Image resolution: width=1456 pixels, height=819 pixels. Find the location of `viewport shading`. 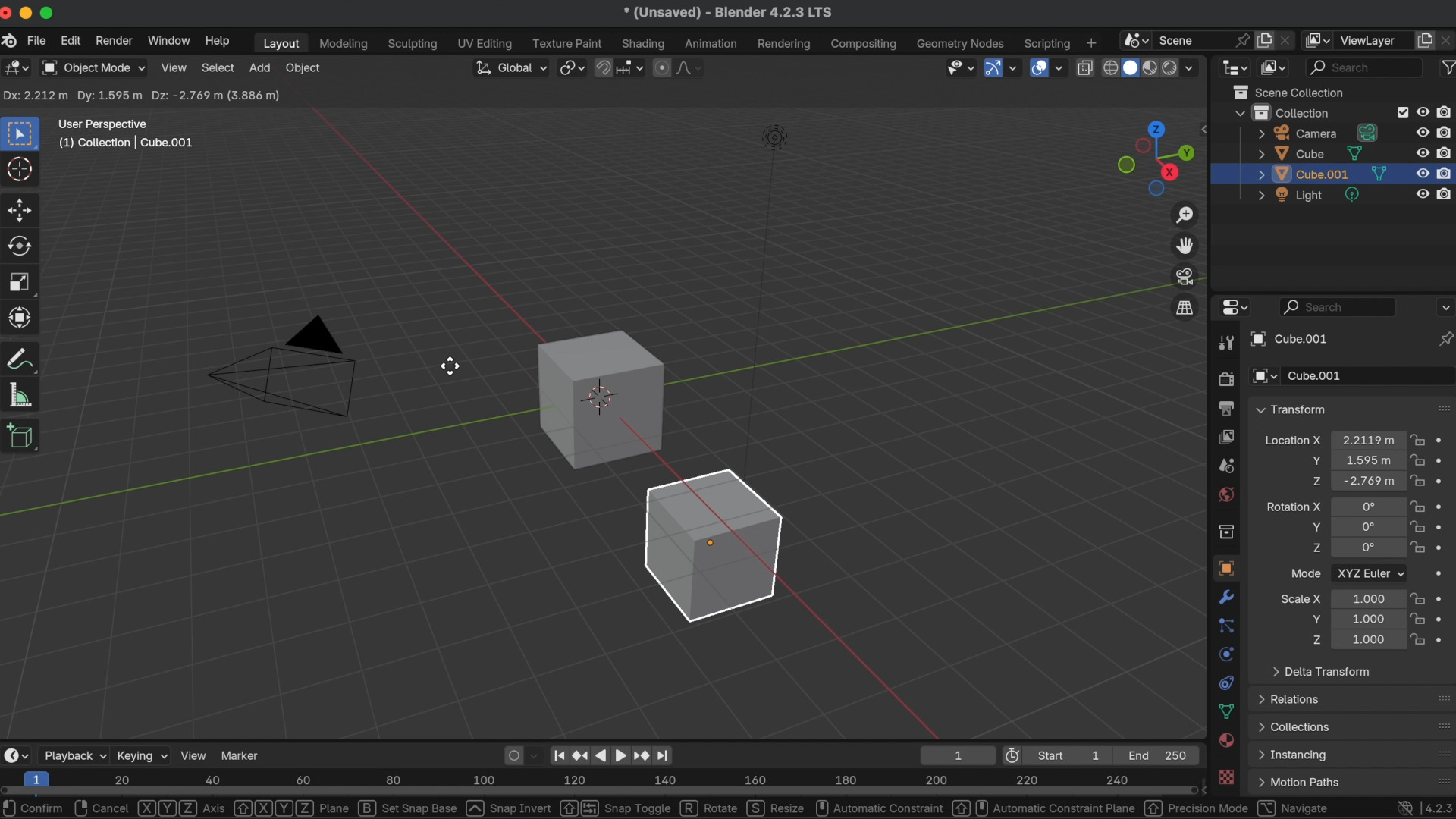

viewport shading is located at coordinates (1169, 69).